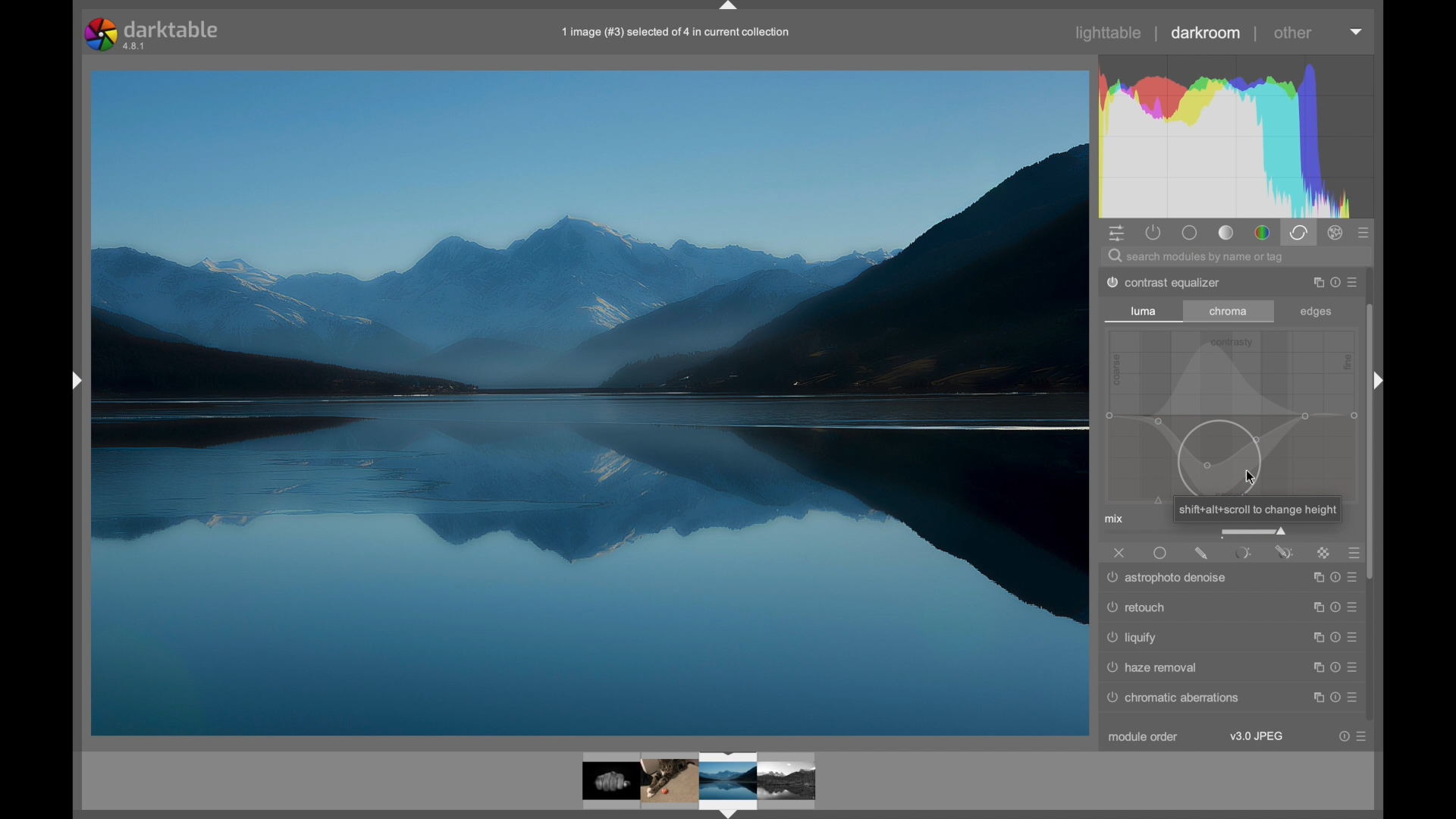  I want to click on more options, so click(1333, 642).